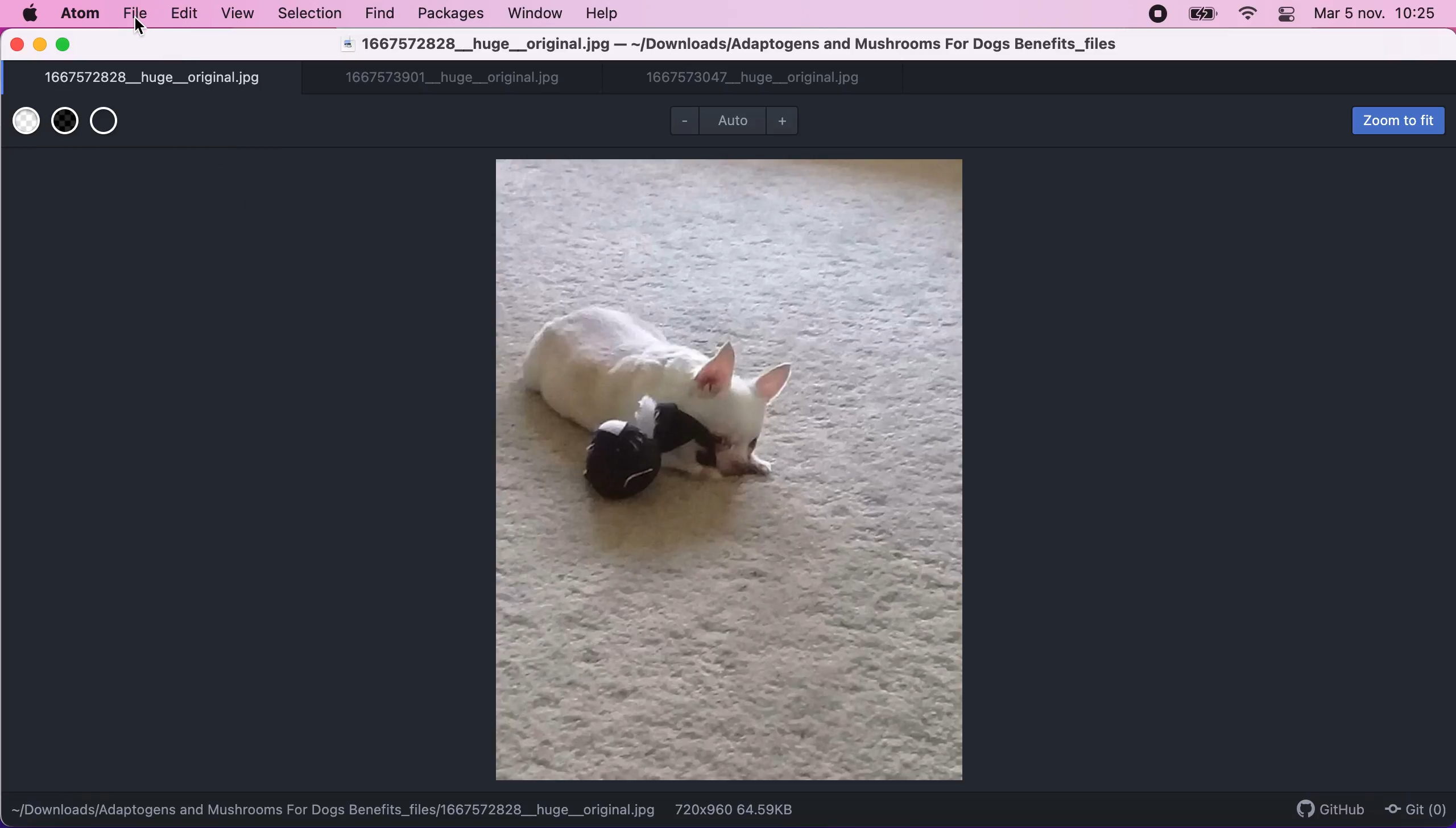 The height and width of the screenshot is (828, 1456). Describe the element at coordinates (85, 15) in the screenshot. I see `atom` at that location.